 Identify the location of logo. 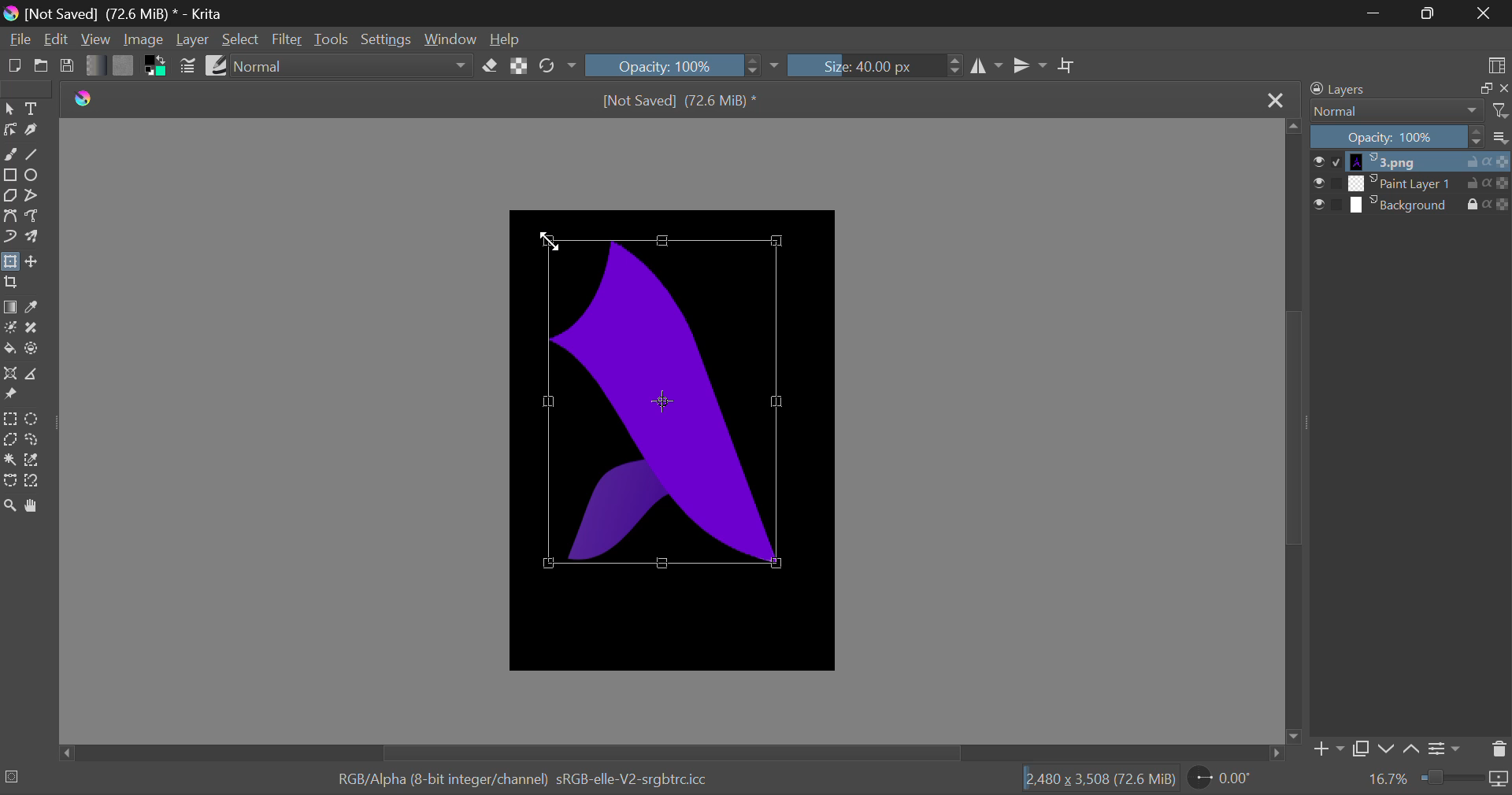
(87, 99).